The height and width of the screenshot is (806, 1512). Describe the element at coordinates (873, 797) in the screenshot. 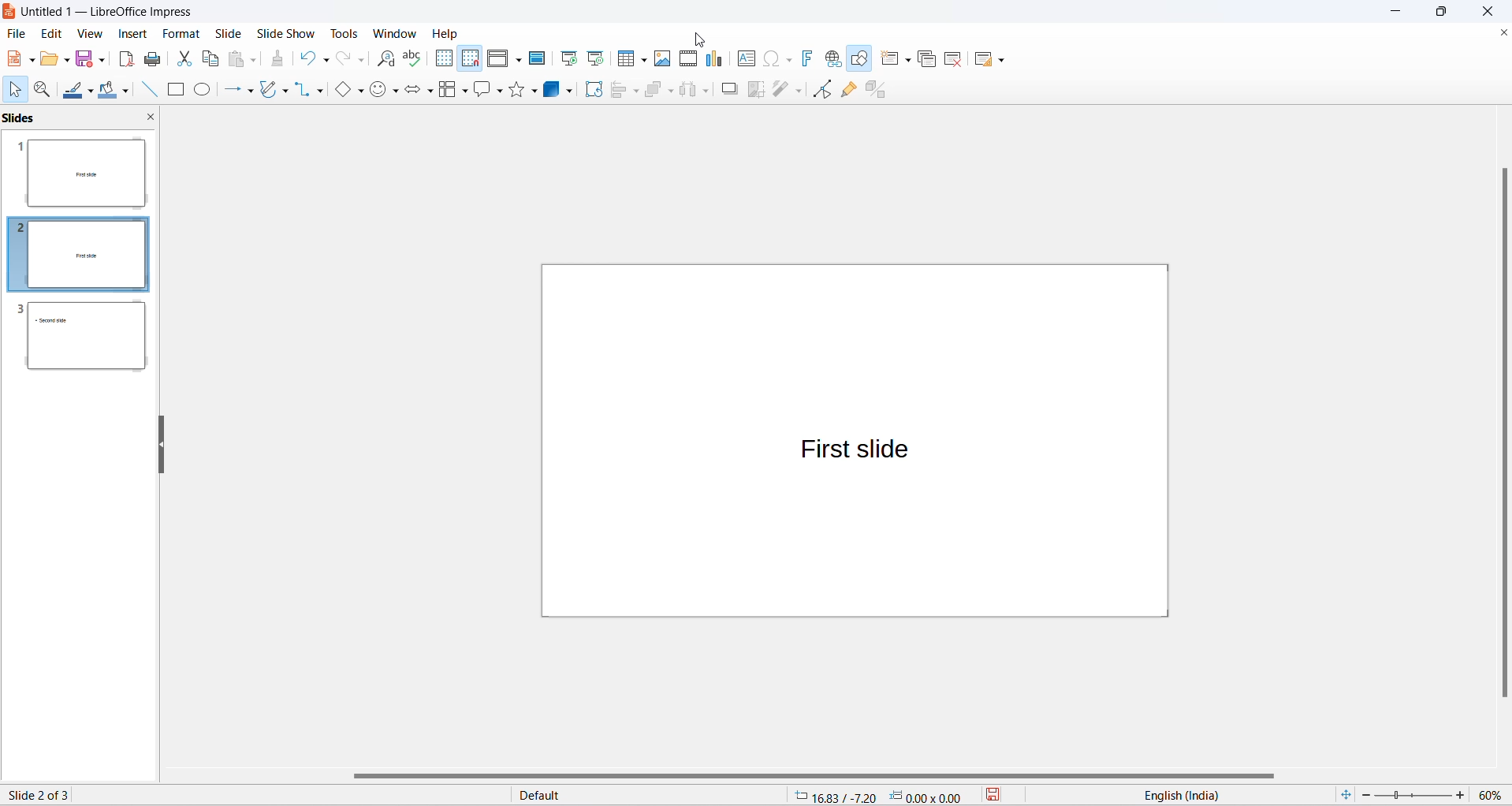

I see `cursor and selection placement` at that location.